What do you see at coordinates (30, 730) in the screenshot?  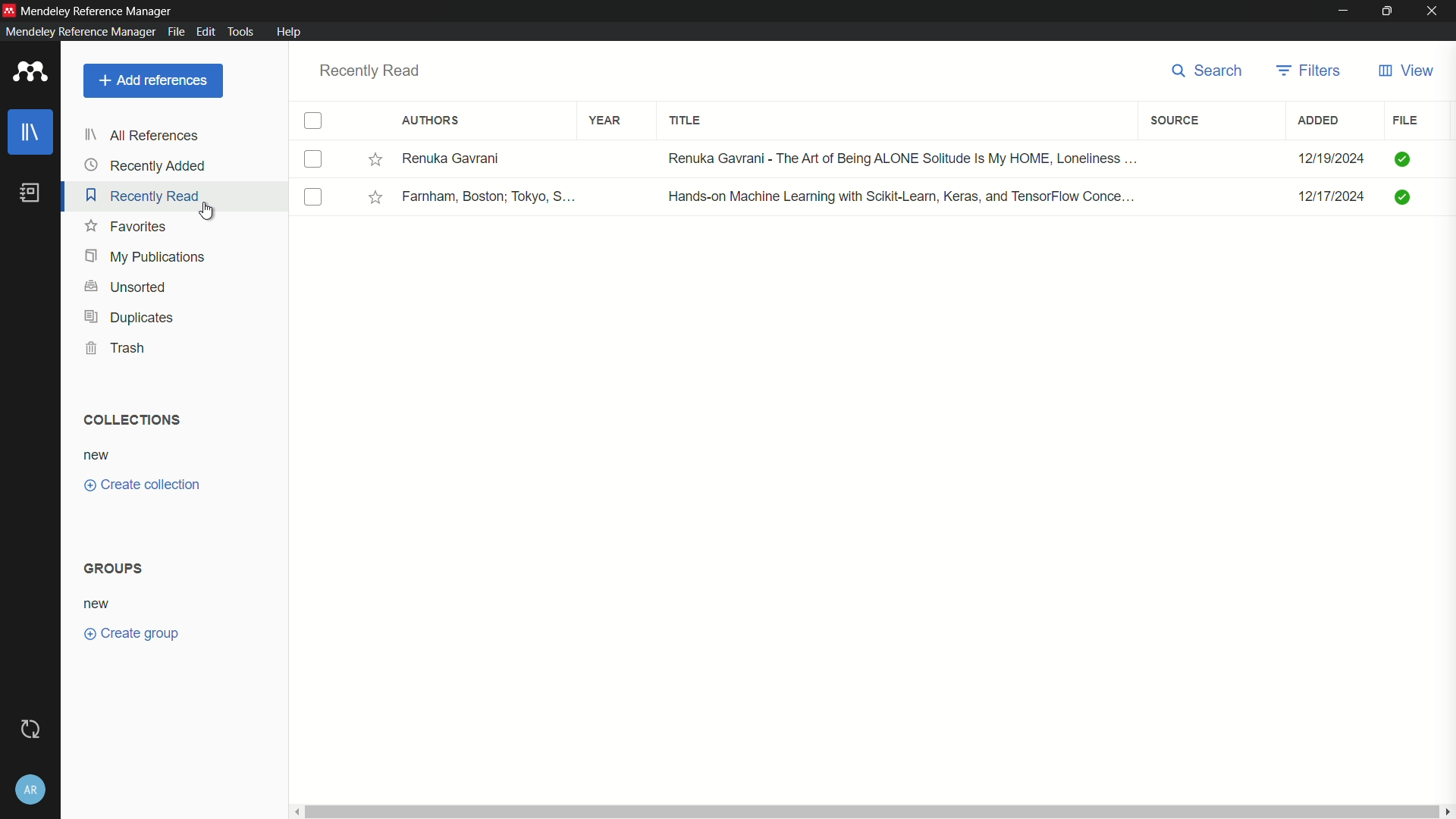 I see `sync` at bounding box center [30, 730].